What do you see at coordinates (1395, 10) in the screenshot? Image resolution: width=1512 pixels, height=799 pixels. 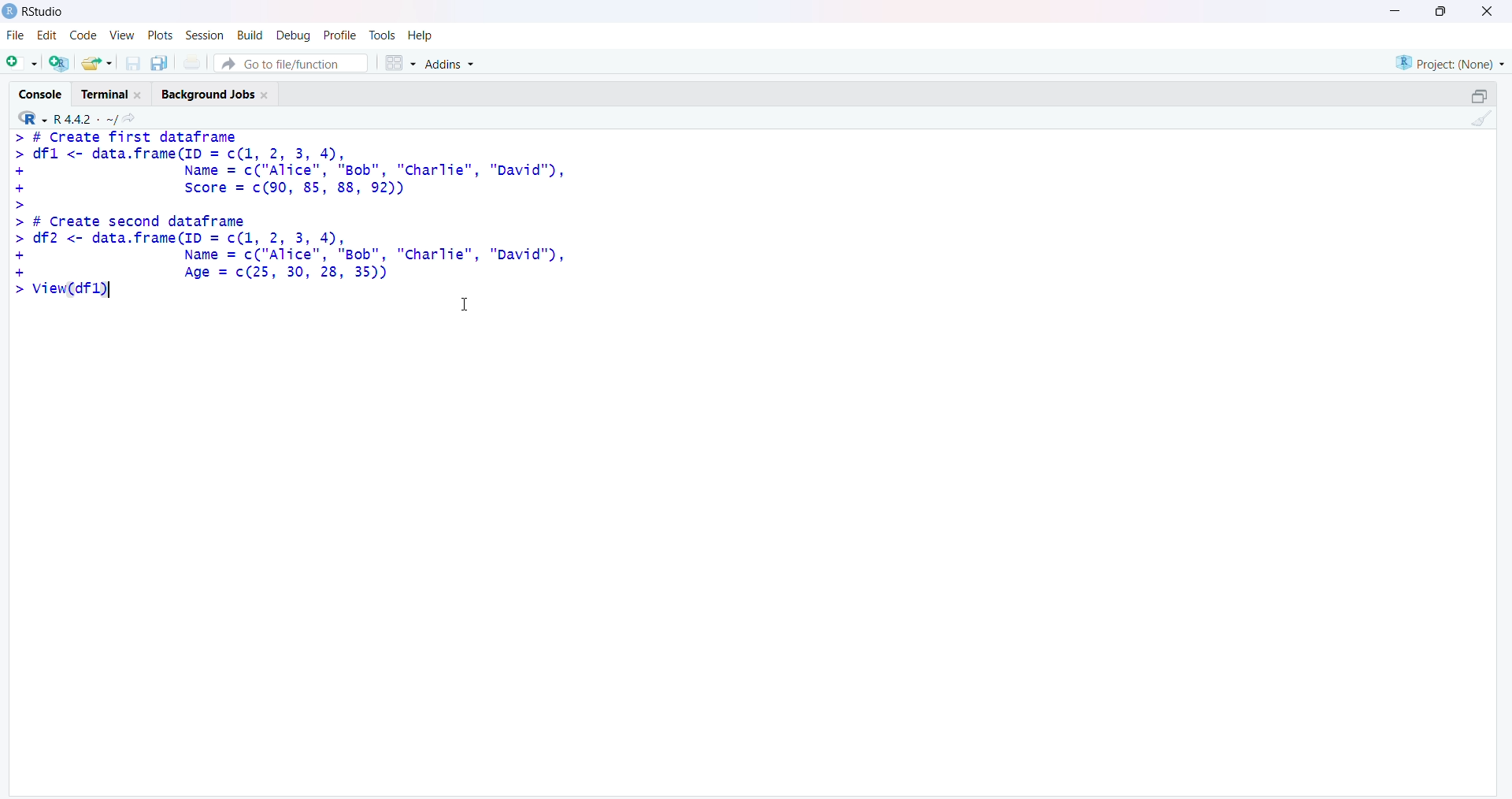 I see `minimise` at bounding box center [1395, 10].